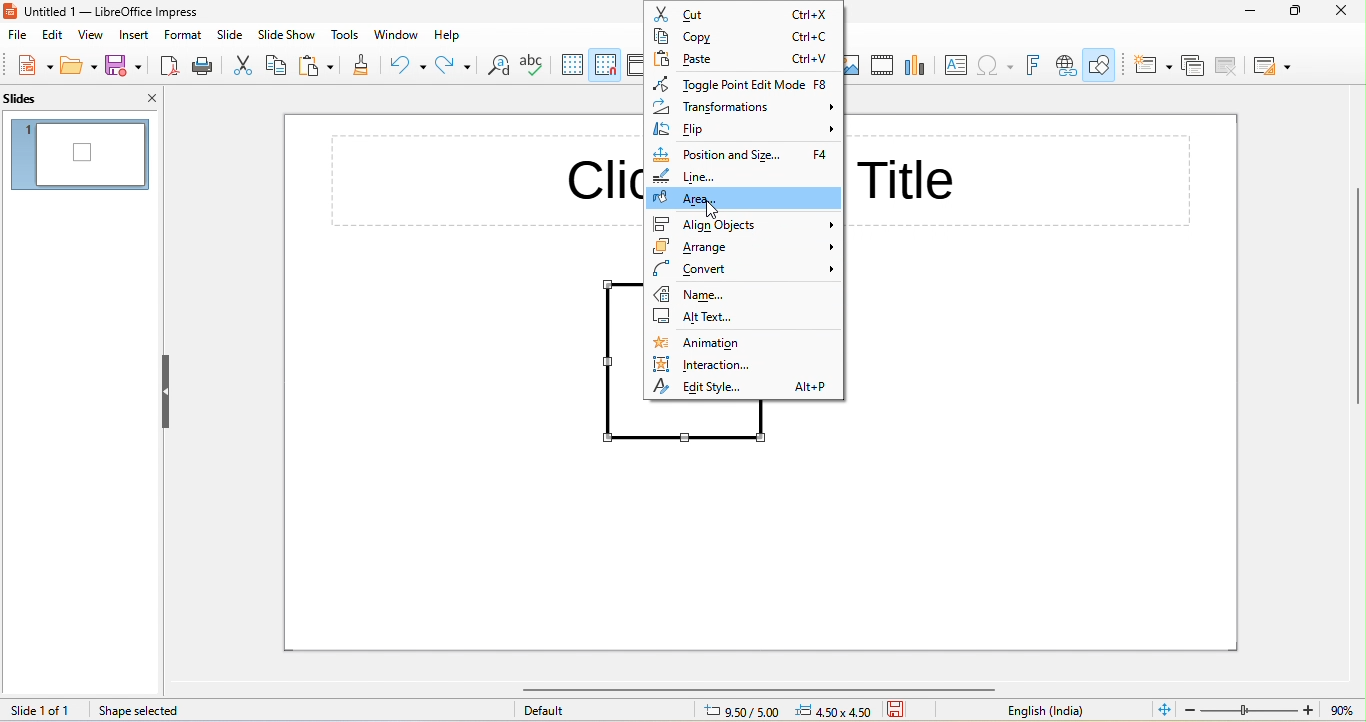 This screenshot has width=1366, height=722. Describe the element at coordinates (882, 65) in the screenshot. I see `media` at that location.